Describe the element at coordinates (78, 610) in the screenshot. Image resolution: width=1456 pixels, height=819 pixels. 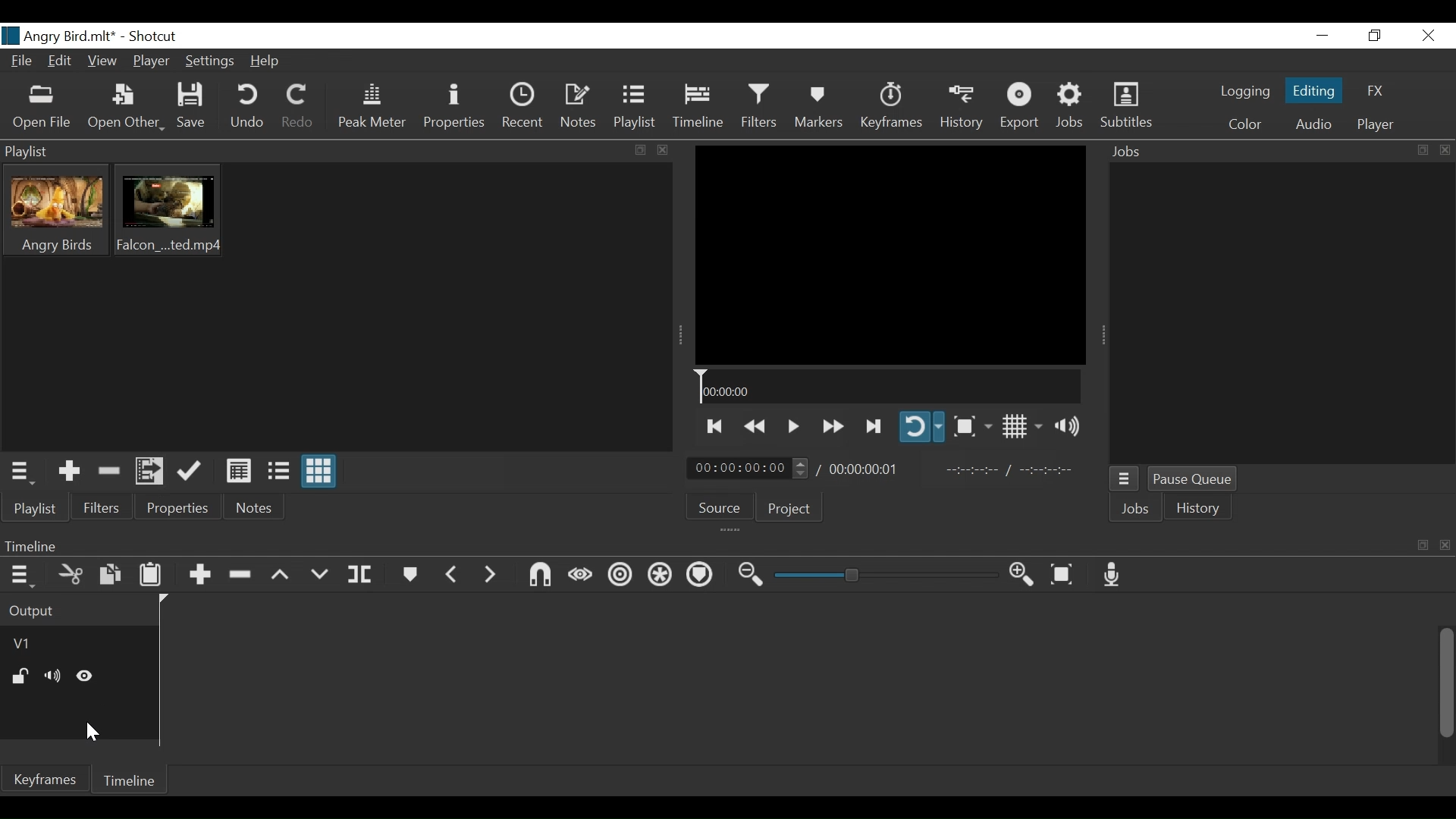
I see `Output` at that location.